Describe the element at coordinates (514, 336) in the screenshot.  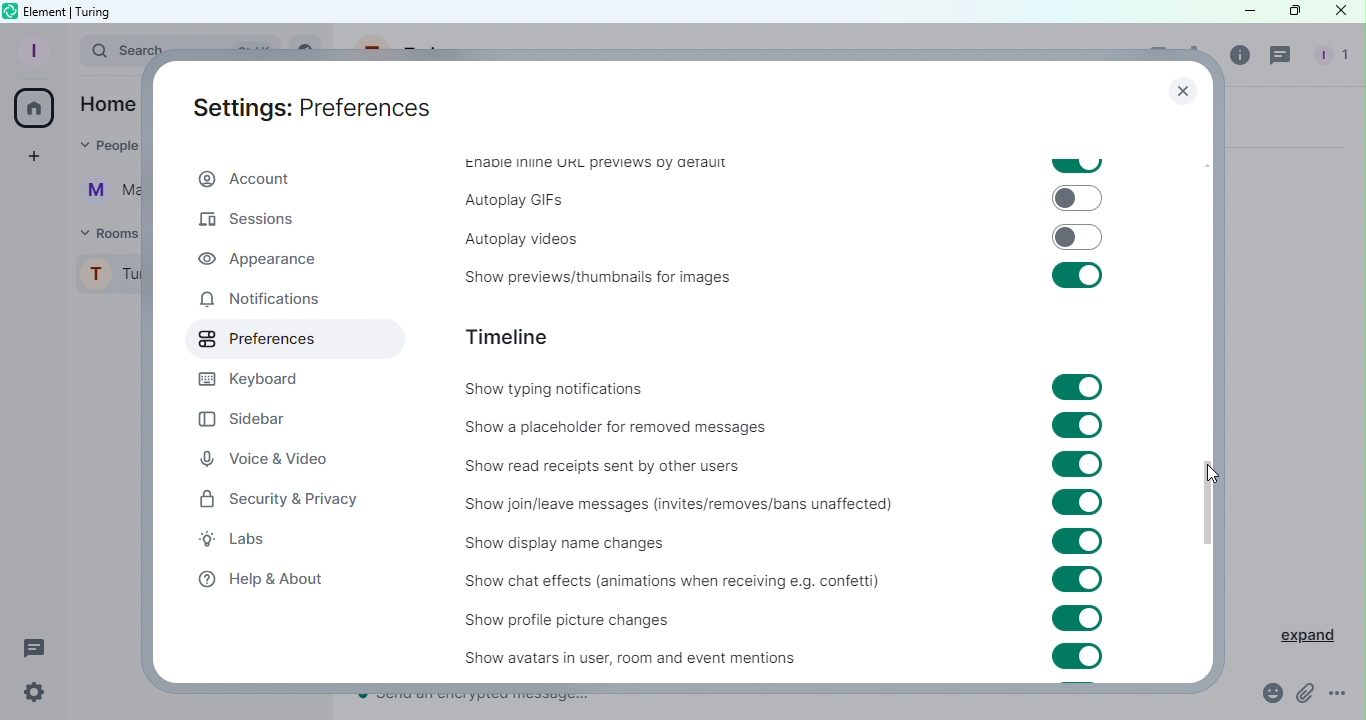
I see `Timeline` at that location.